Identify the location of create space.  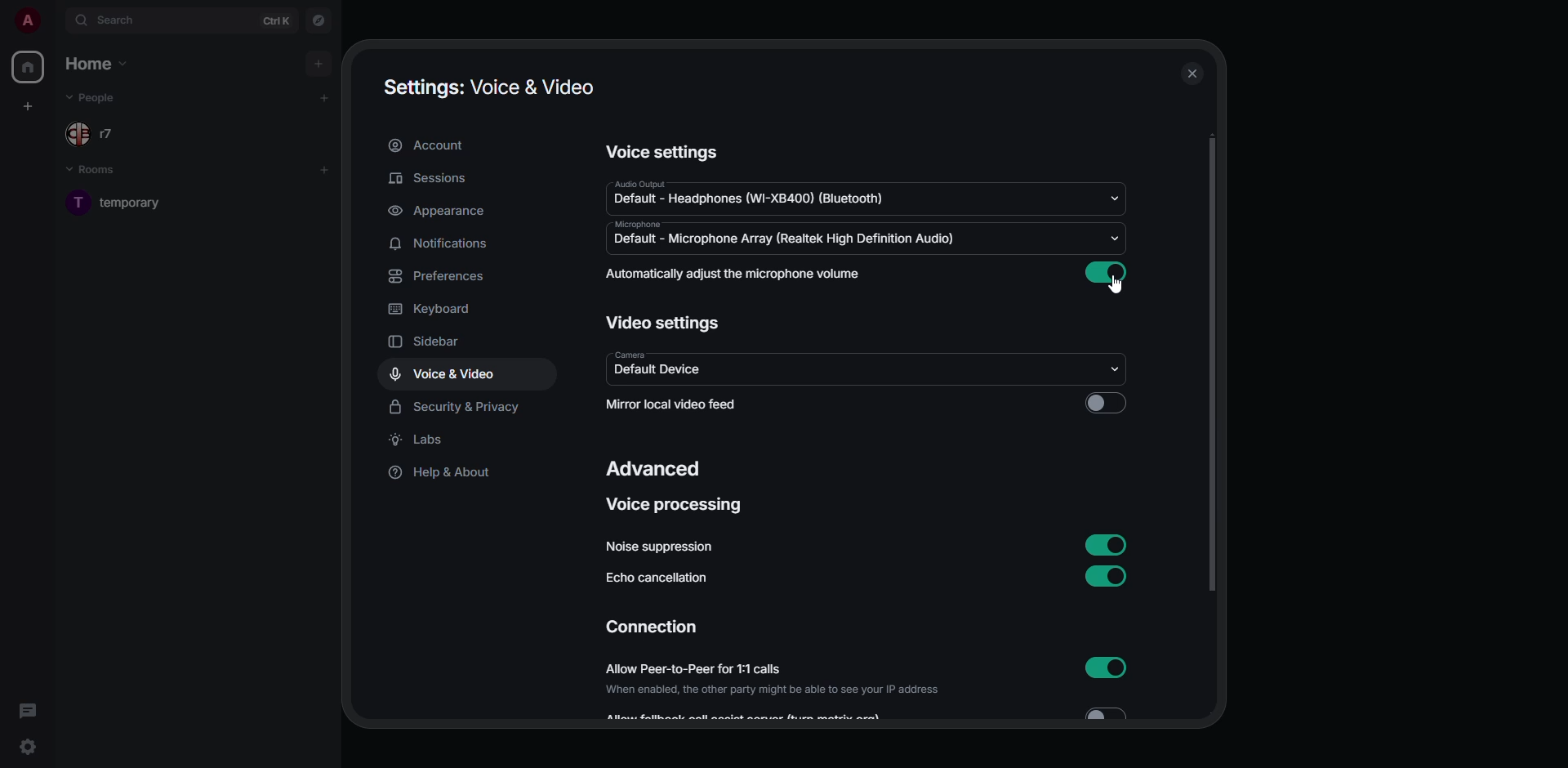
(28, 105).